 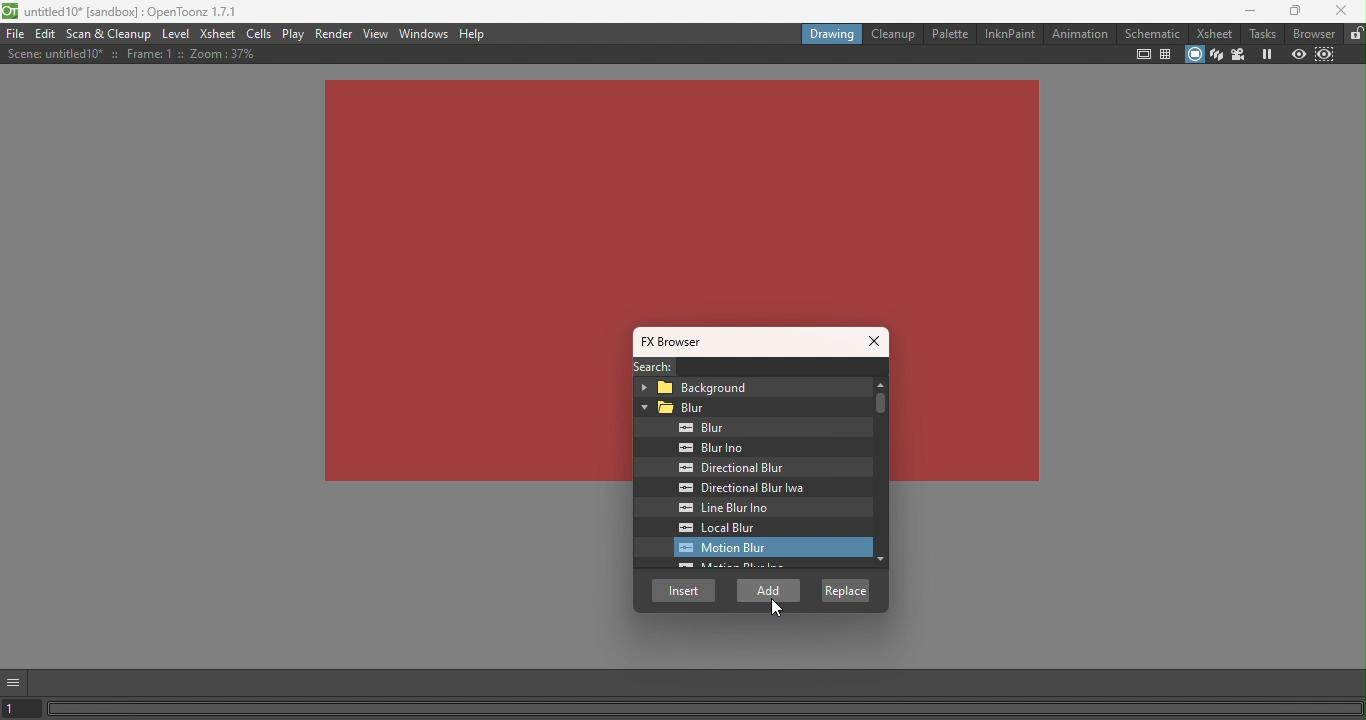 I want to click on Palette, so click(x=949, y=34).